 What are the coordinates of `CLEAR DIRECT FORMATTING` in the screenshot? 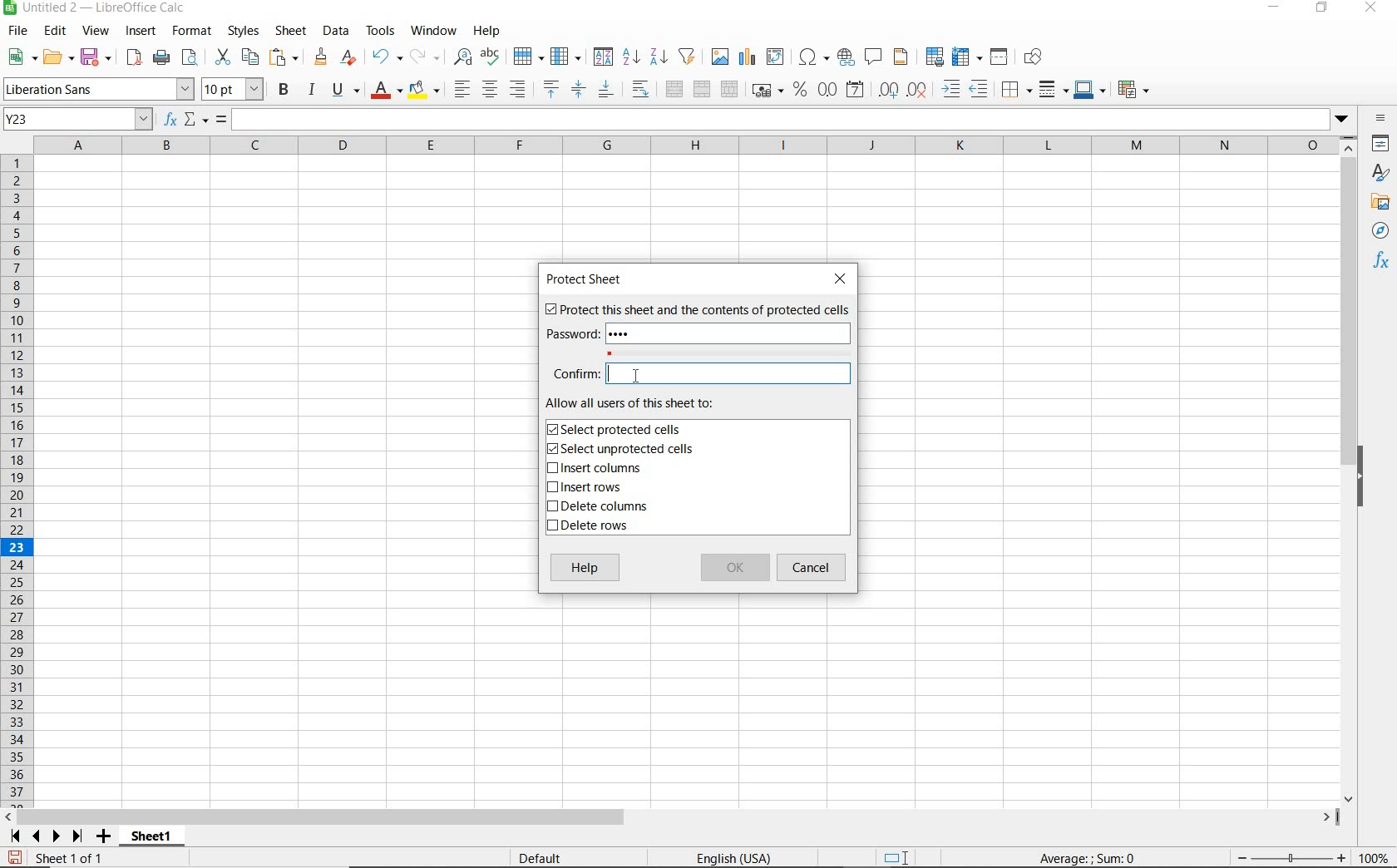 It's located at (347, 57).